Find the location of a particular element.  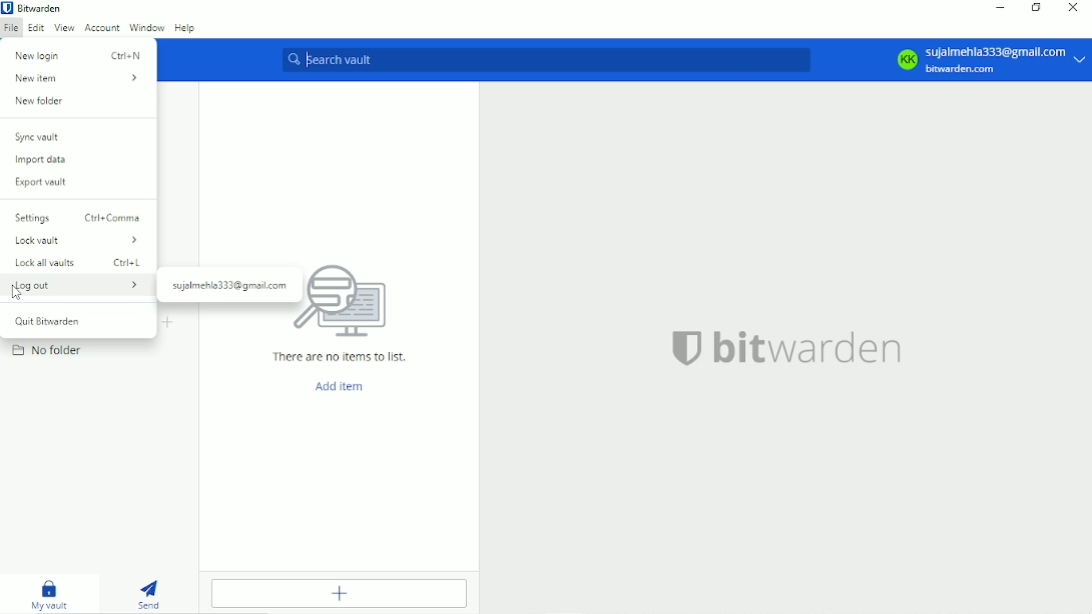

cursor is located at coordinates (17, 294).